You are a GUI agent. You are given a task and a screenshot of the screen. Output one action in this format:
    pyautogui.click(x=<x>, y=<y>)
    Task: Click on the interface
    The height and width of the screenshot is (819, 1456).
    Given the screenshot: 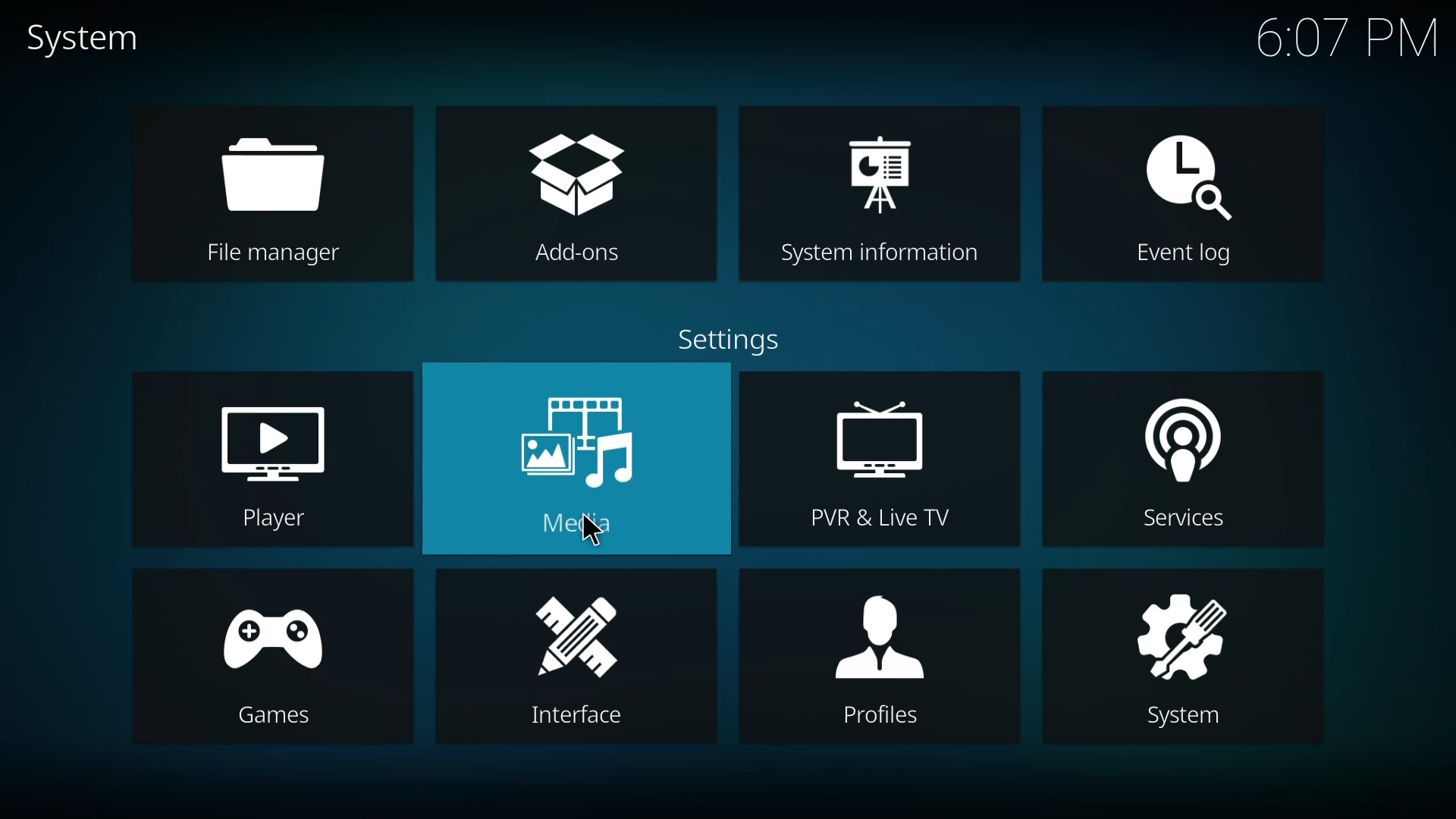 What is the action you would take?
    pyautogui.click(x=582, y=635)
    